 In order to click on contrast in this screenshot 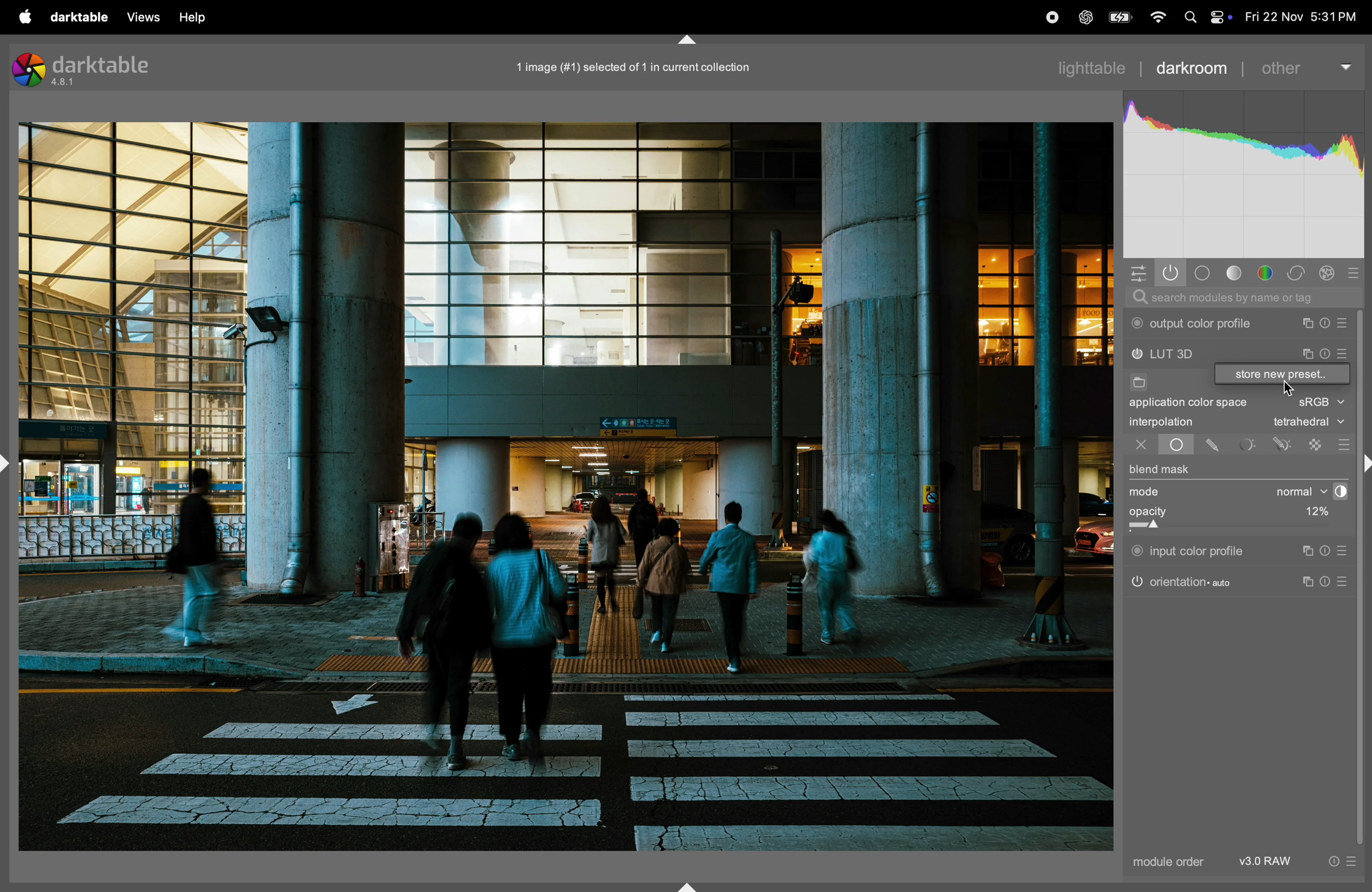, I will do `click(1337, 492)`.